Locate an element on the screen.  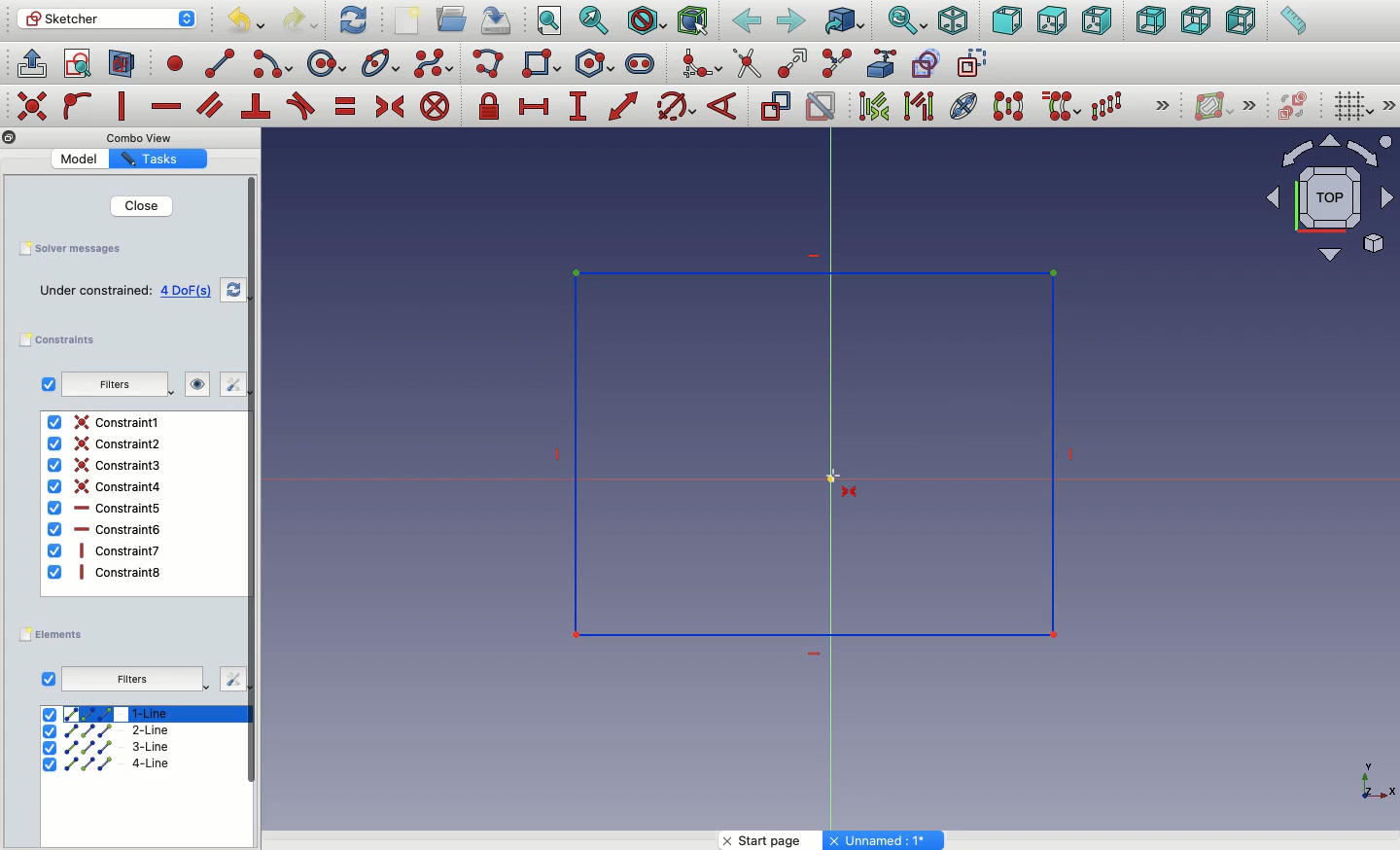
Rectangle is located at coordinates (874, 336).